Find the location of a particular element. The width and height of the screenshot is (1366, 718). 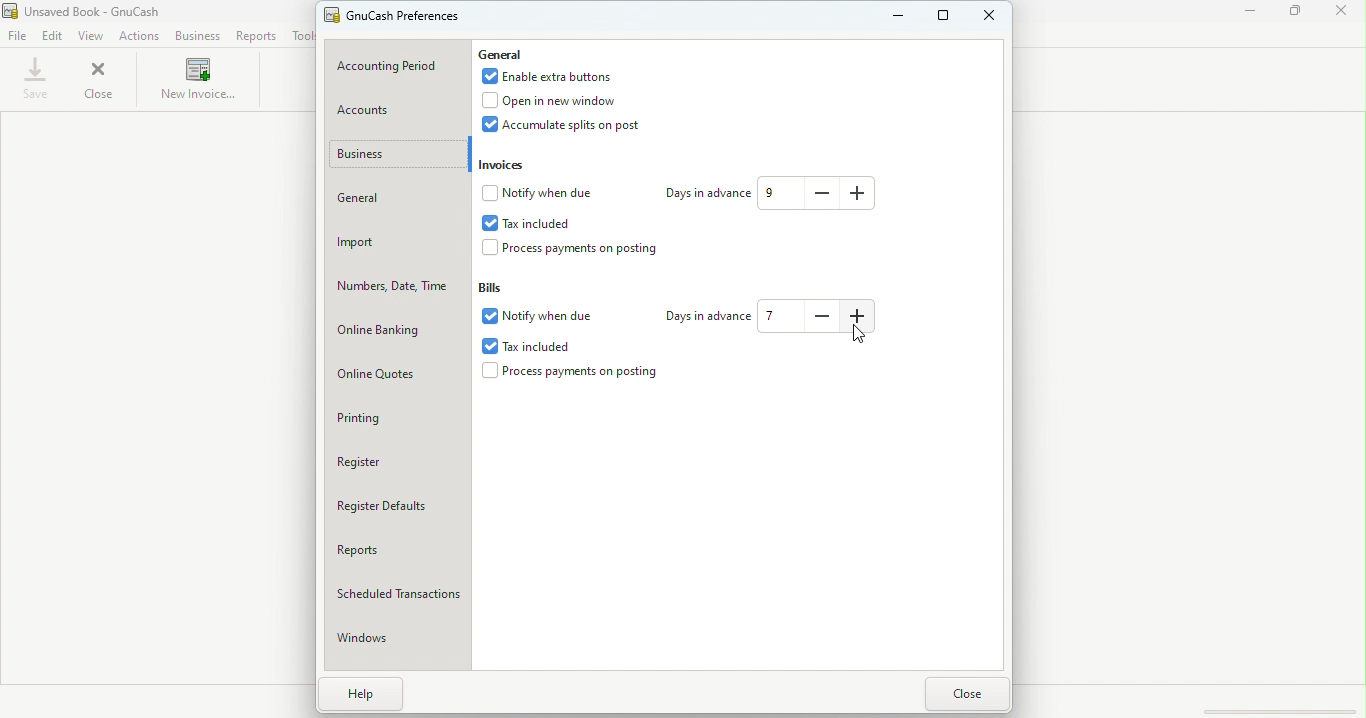

Close is located at coordinates (993, 22).